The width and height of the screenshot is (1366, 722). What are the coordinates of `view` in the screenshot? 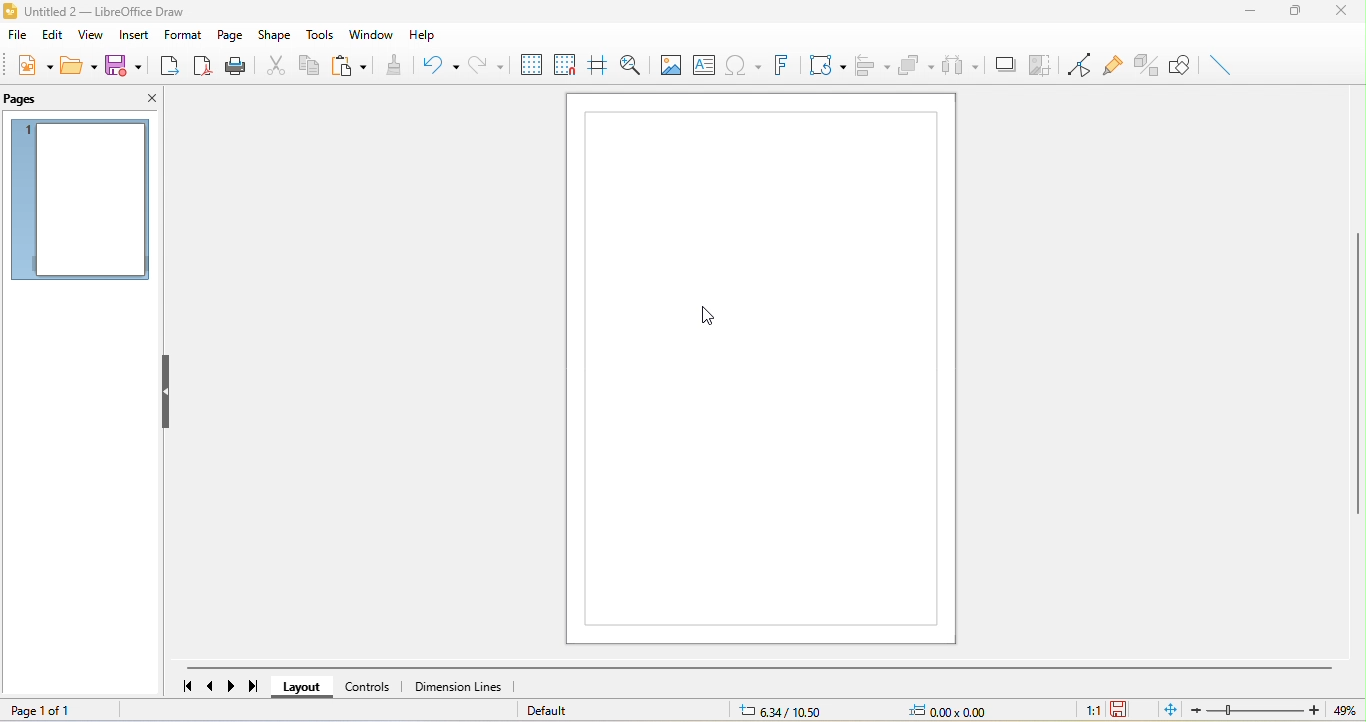 It's located at (90, 34).